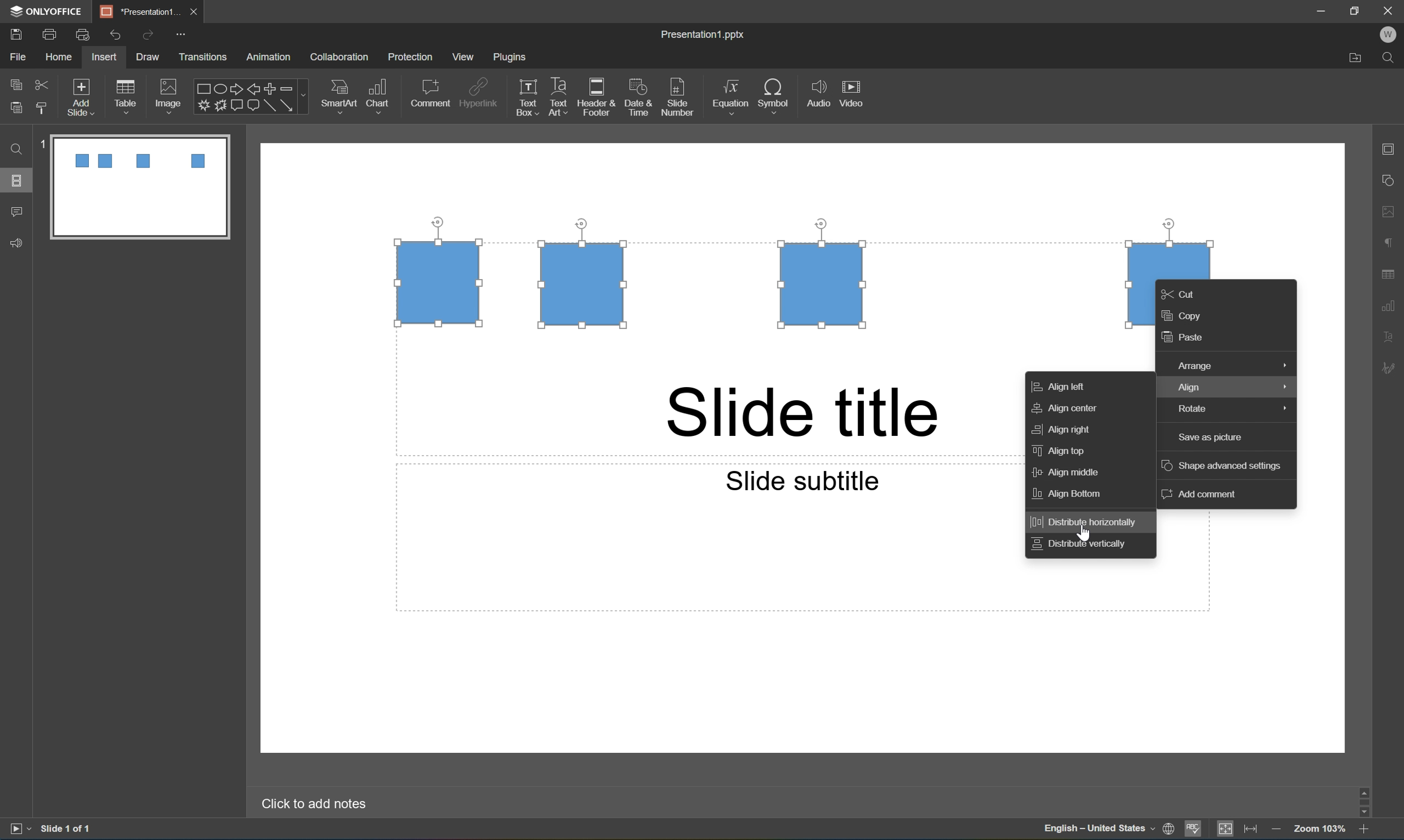  Describe the element at coordinates (1090, 520) in the screenshot. I see `distribute horizontally` at that location.